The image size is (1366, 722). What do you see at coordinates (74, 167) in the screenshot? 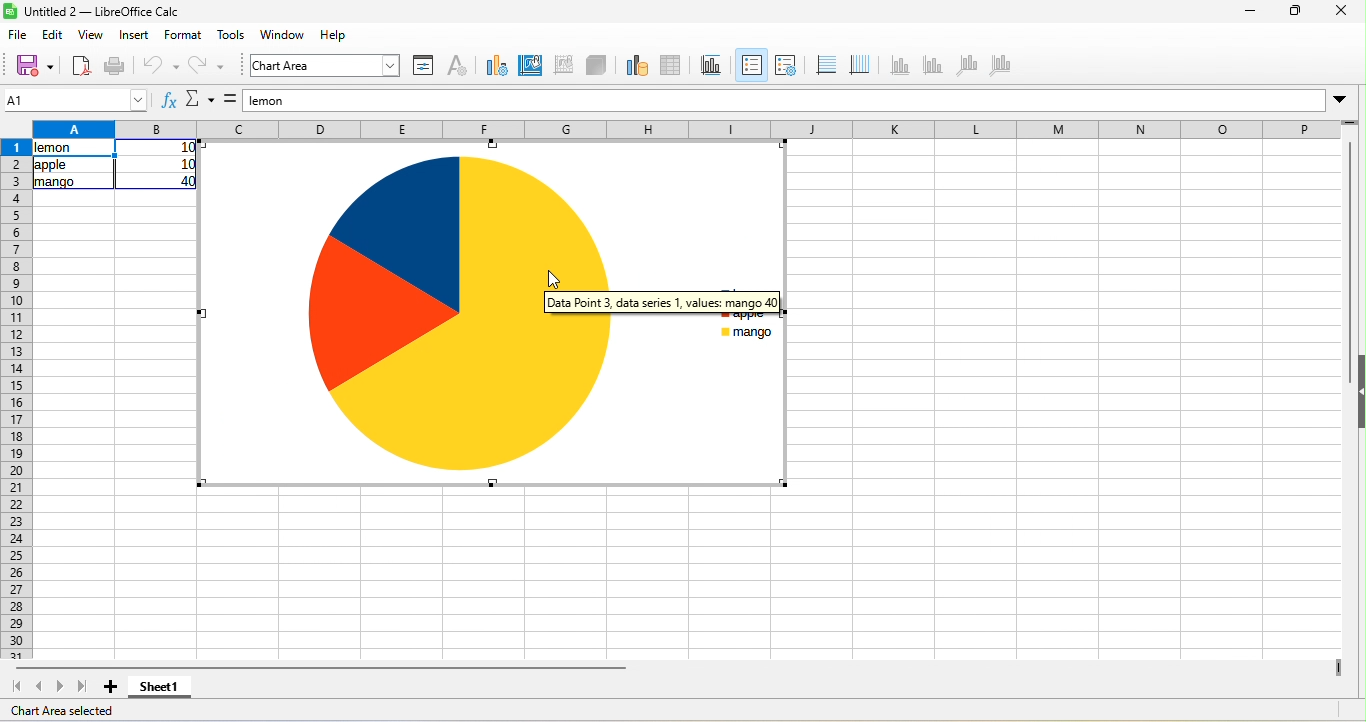
I see `apple` at bounding box center [74, 167].